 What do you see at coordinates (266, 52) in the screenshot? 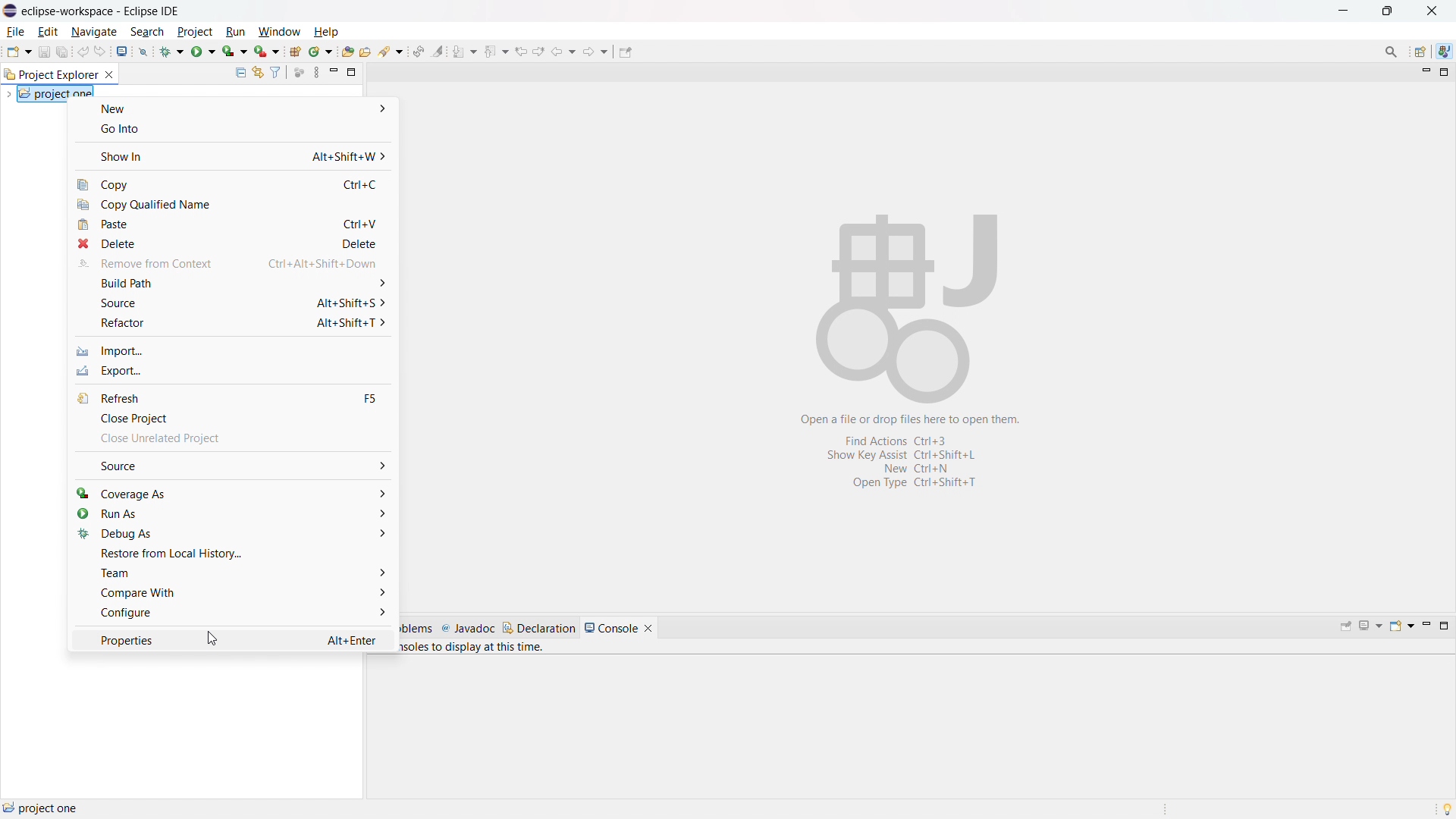
I see `use last tool` at bounding box center [266, 52].